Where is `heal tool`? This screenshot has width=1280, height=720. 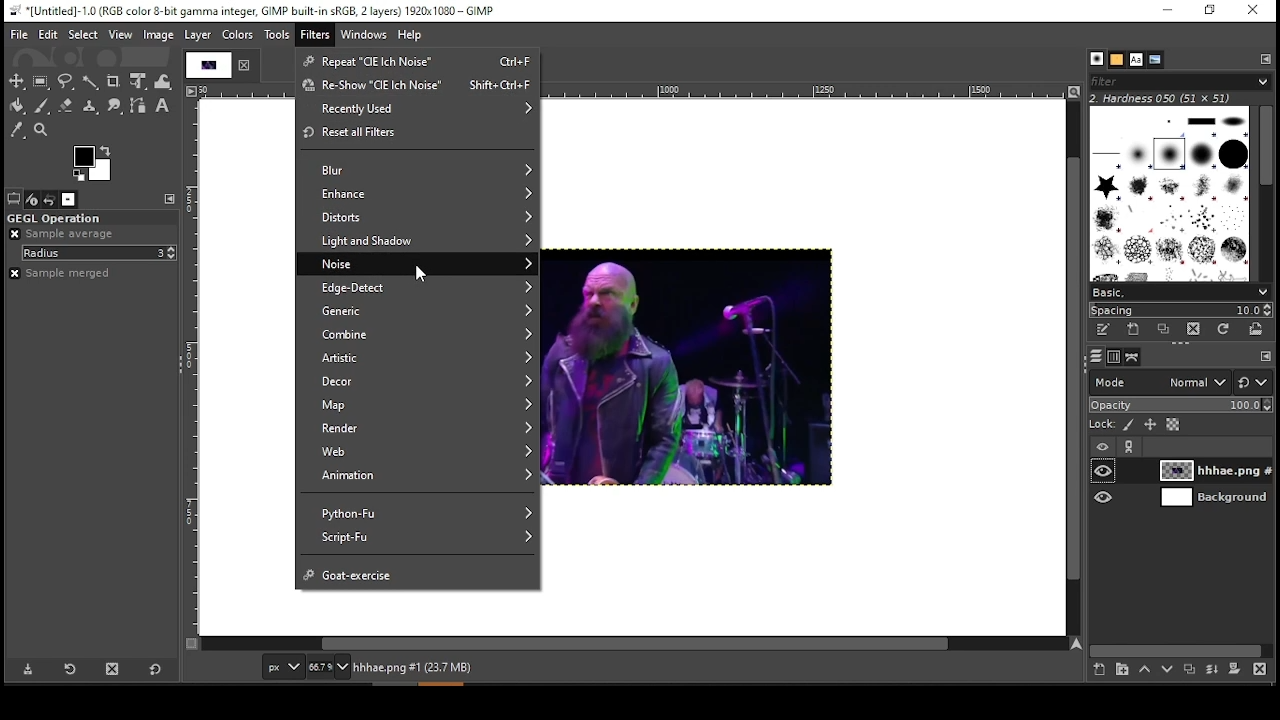
heal tool is located at coordinates (87, 107).